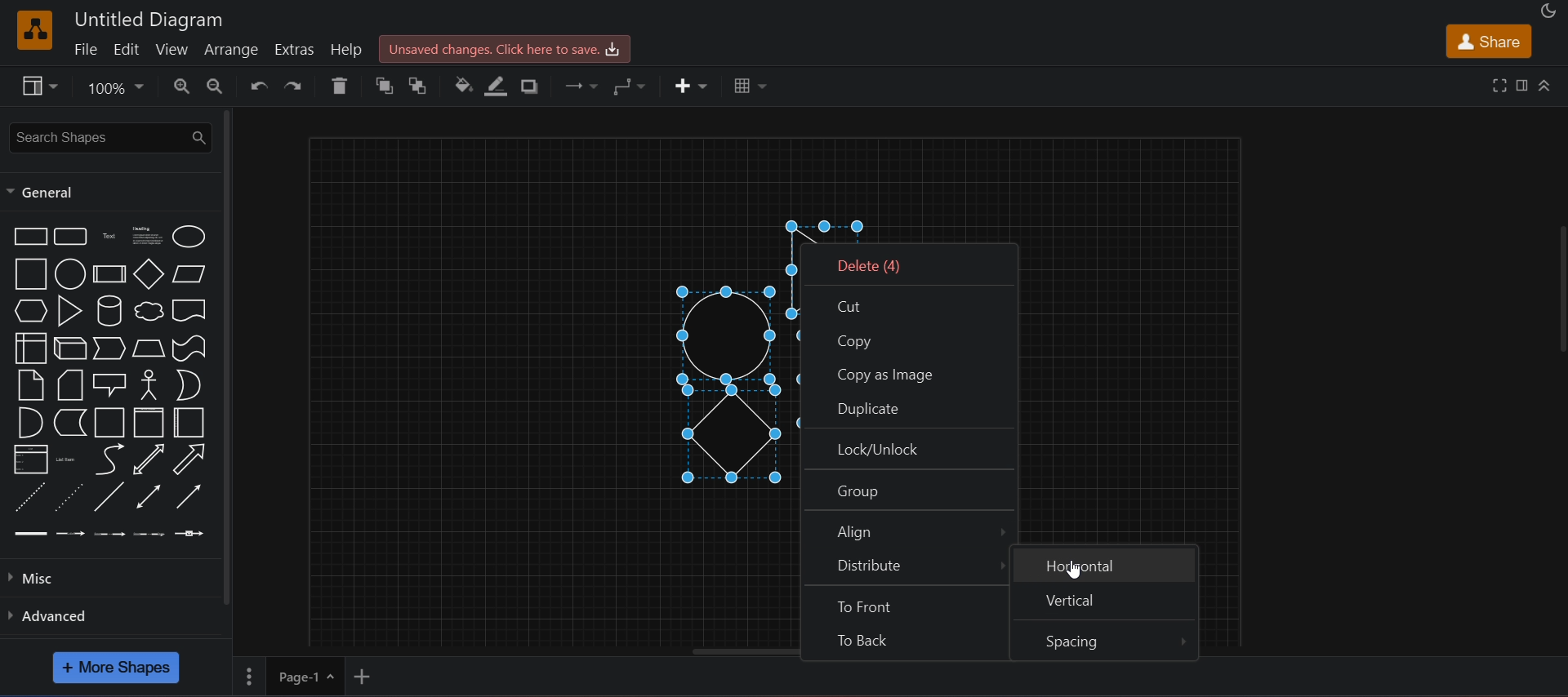  I want to click on share, so click(1488, 41).